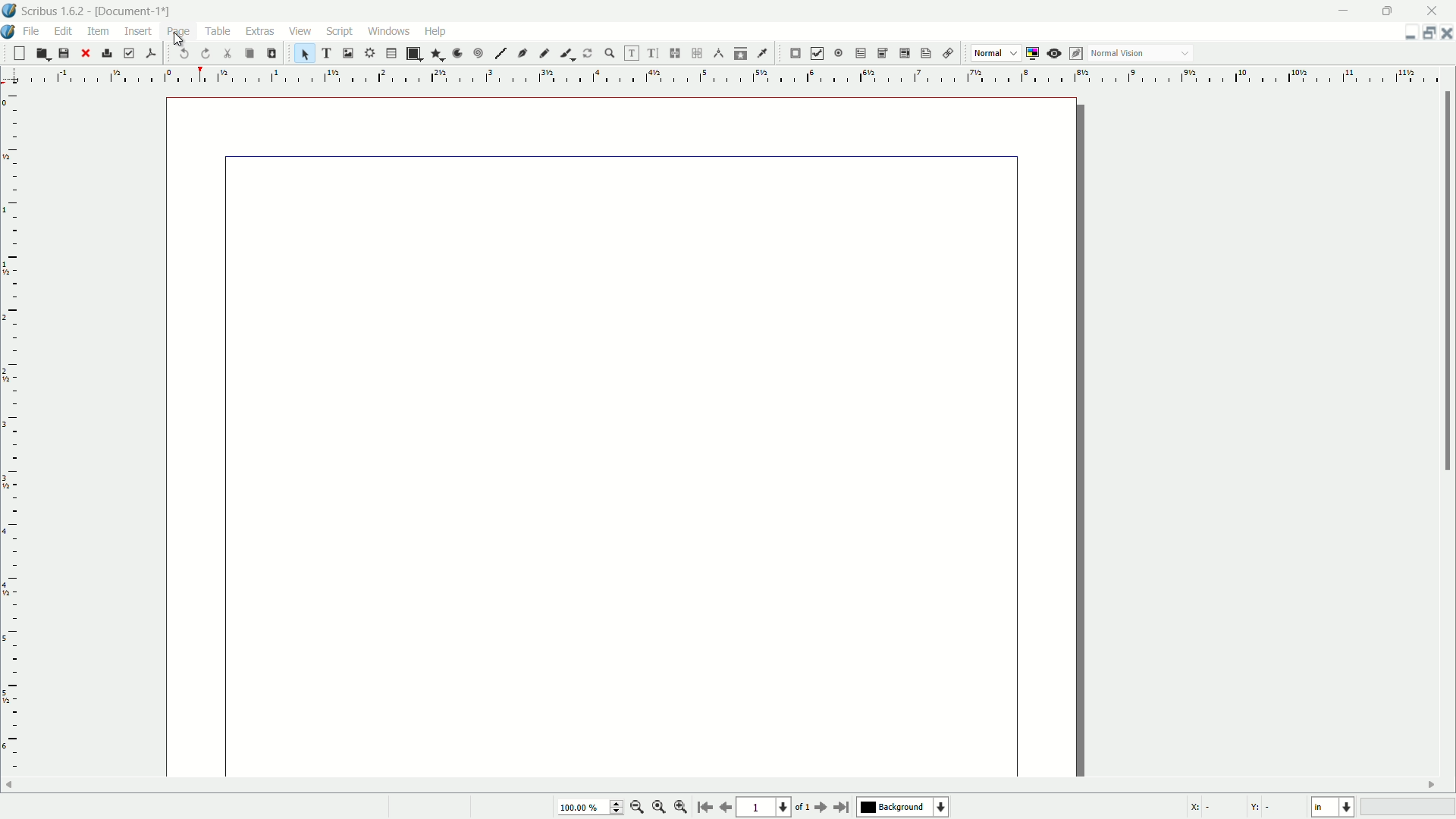  What do you see at coordinates (858, 54) in the screenshot?
I see `pdf text field` at bounding box center [858, 54].